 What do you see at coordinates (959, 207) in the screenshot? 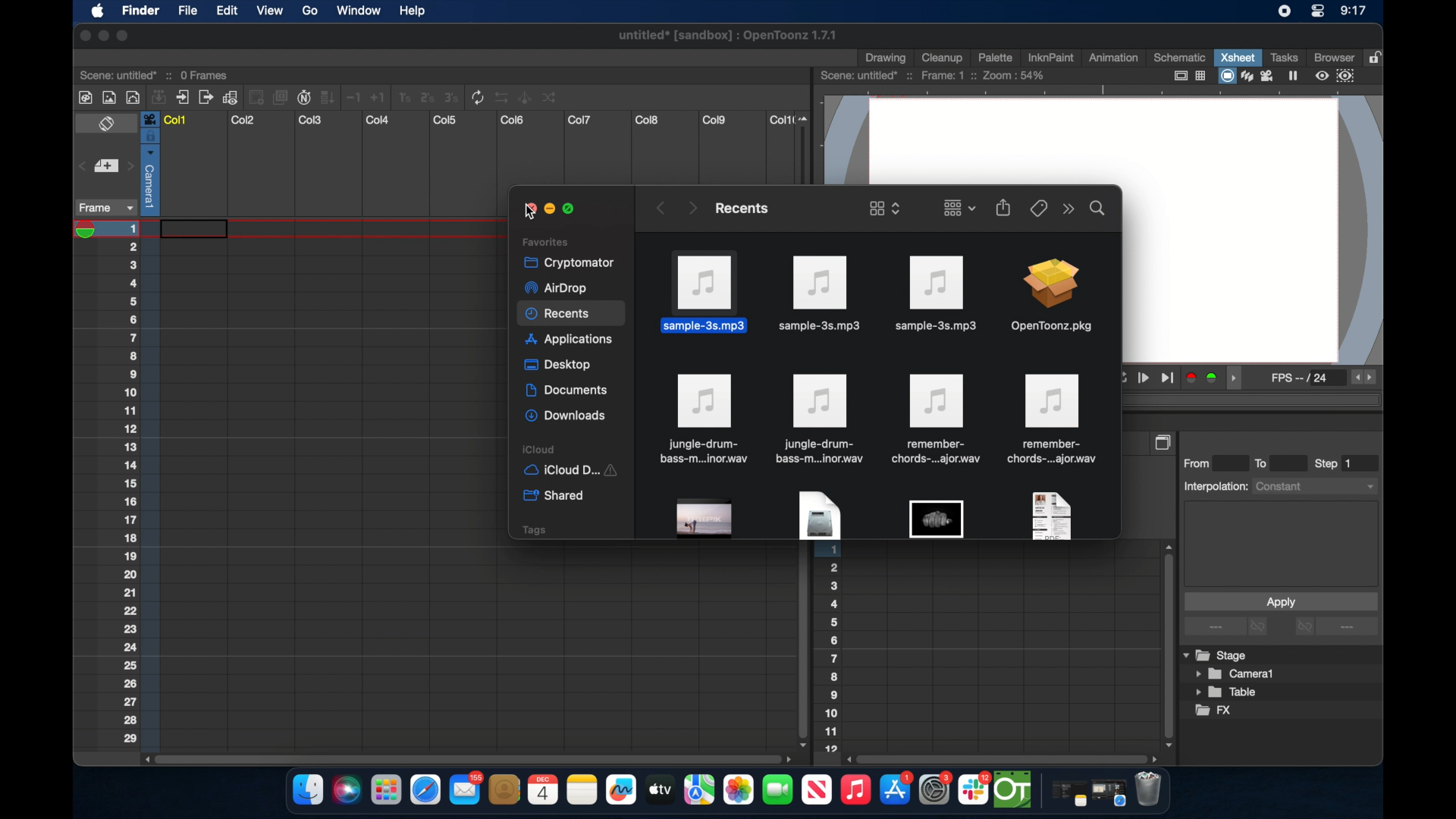
I see `tab group picker` at bounding box center [959, 207].